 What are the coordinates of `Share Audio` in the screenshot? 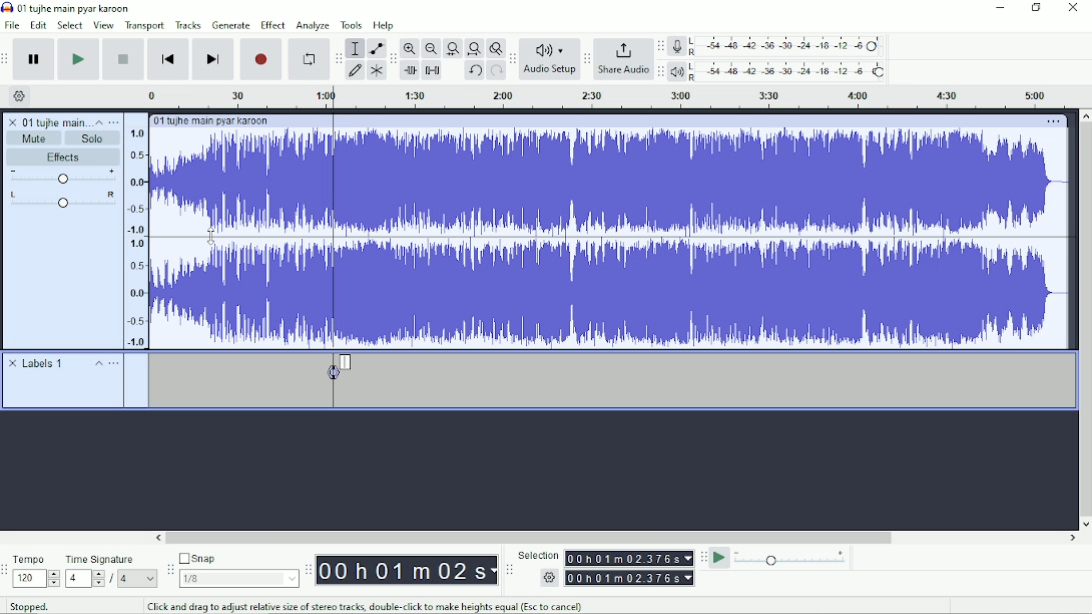 It's located at (623, 61).